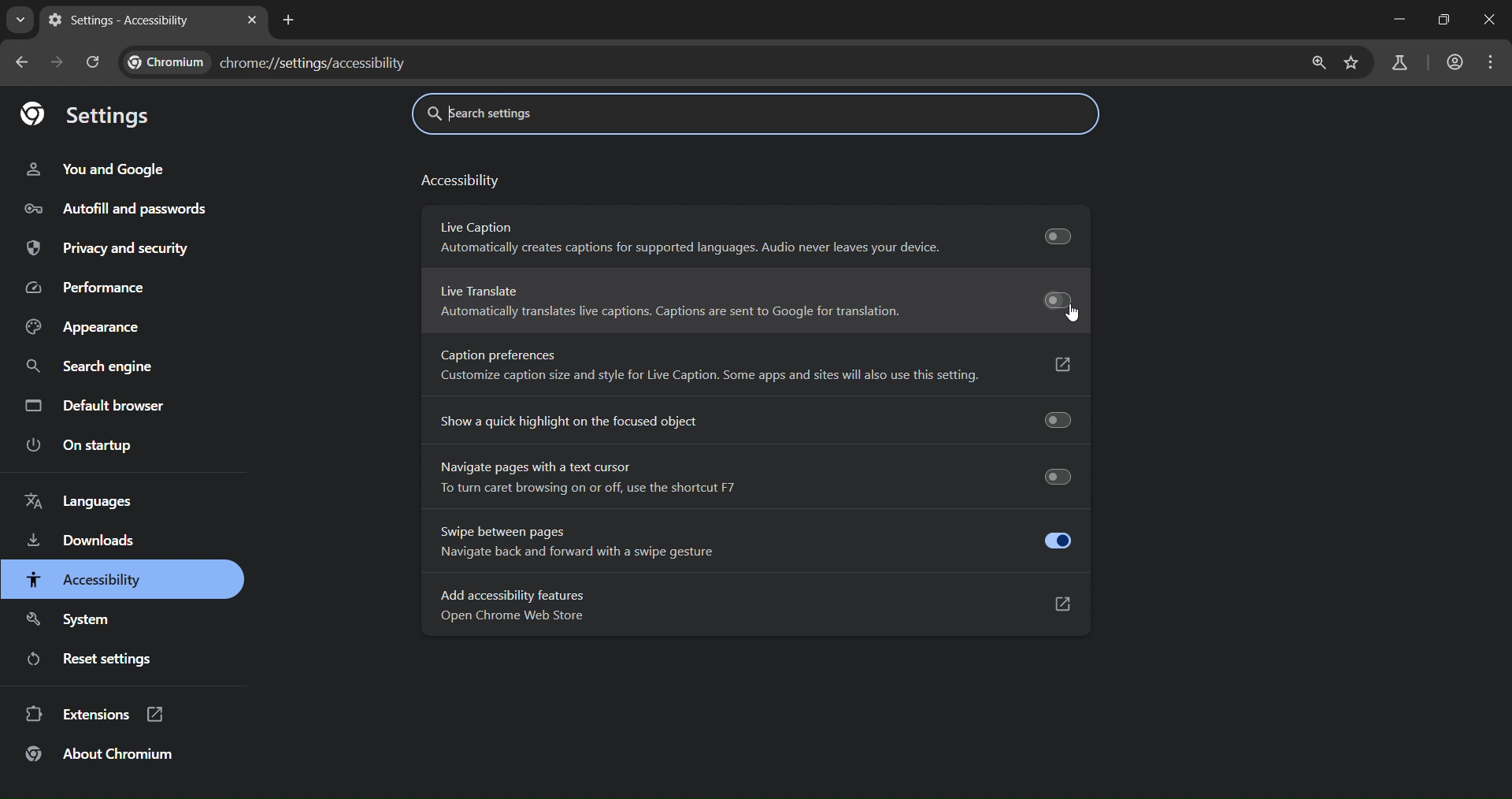 The width and height of the screenshot is (1512, 799). Describe the element at coordinates (570, 114) in the screenshot. I see `search settings` at that location.